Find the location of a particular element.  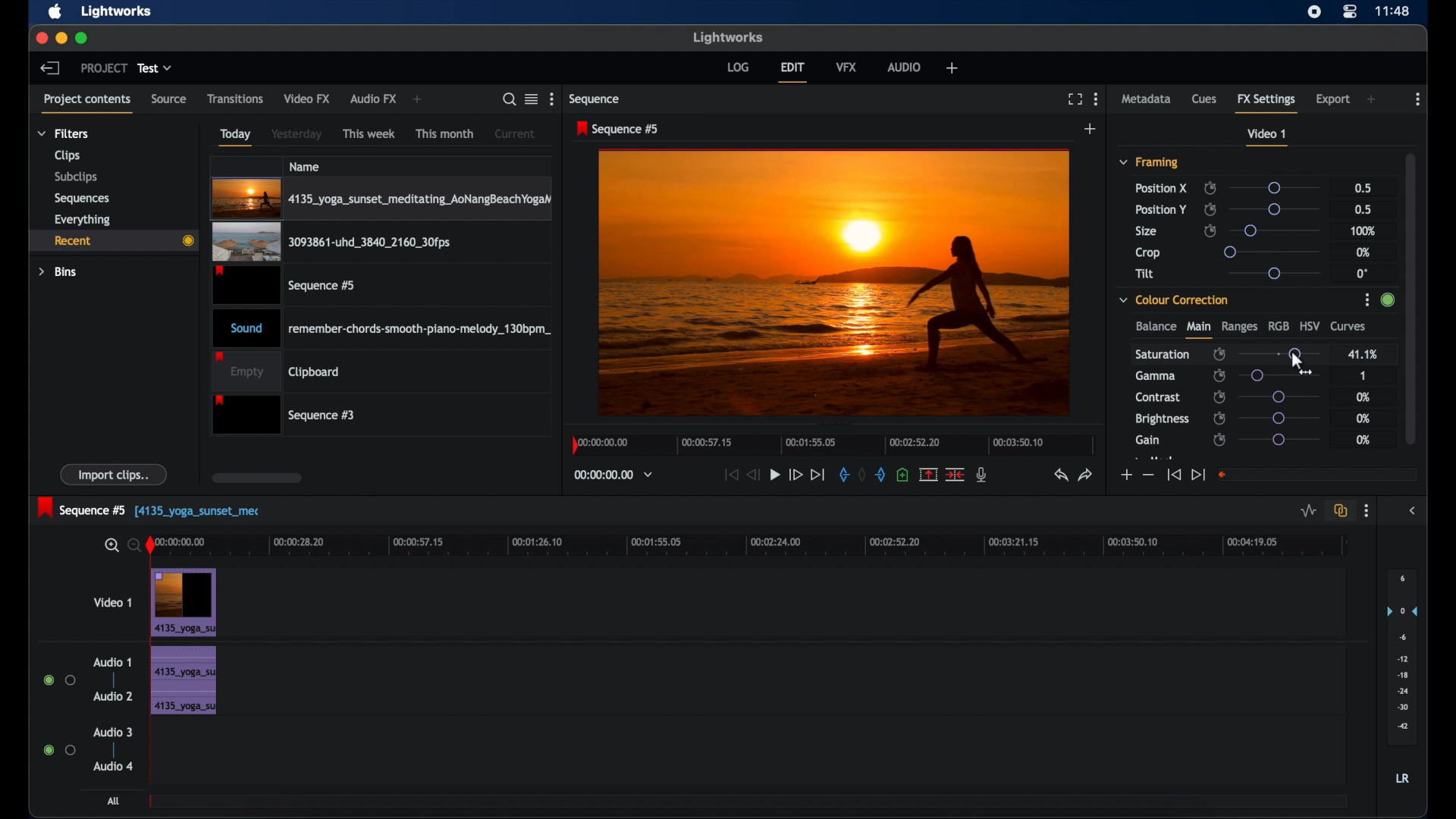

radio buttons is located at coordinates (60, 680).